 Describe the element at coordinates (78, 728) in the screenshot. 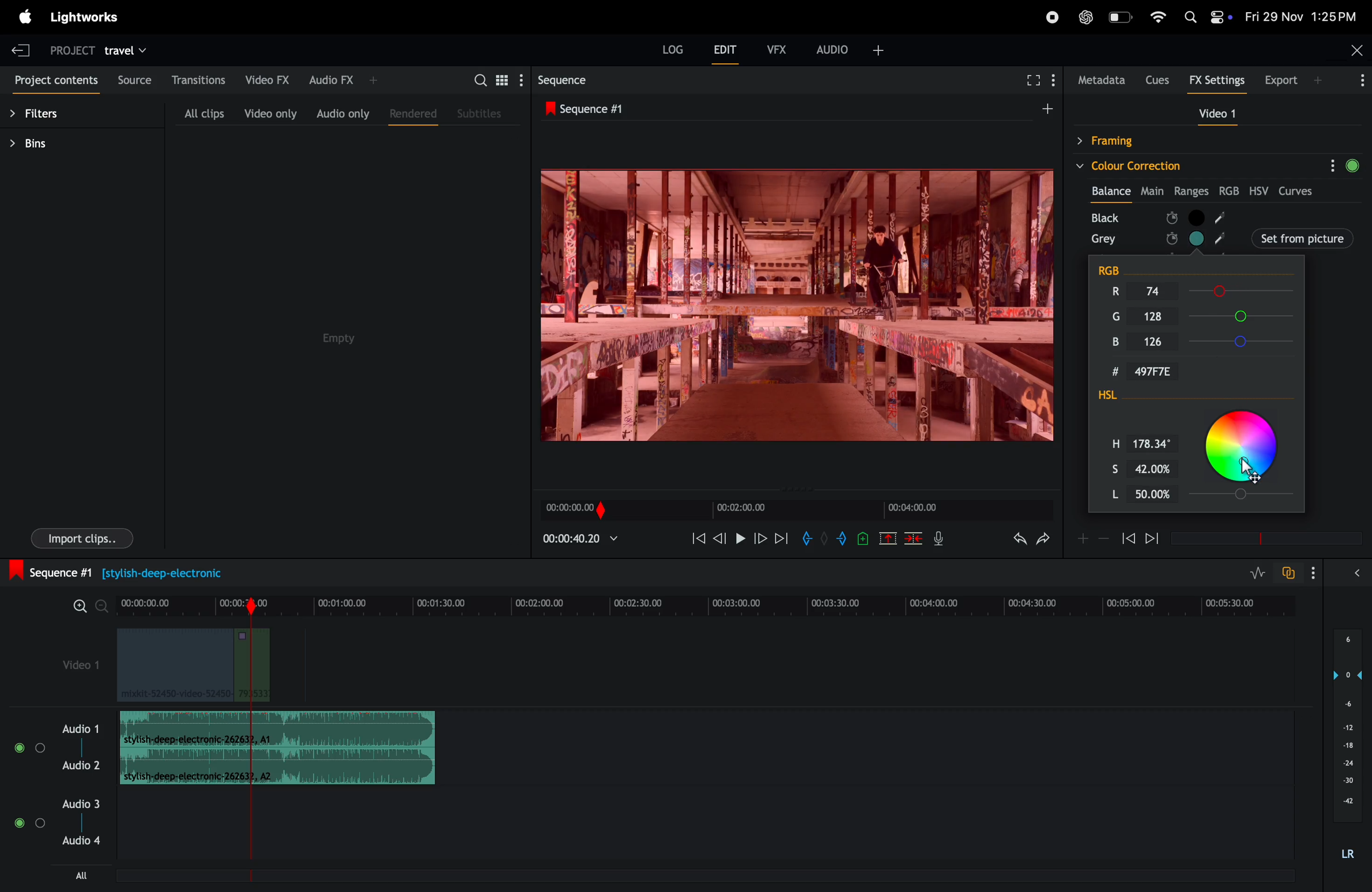

I see `audio 1` at that location.